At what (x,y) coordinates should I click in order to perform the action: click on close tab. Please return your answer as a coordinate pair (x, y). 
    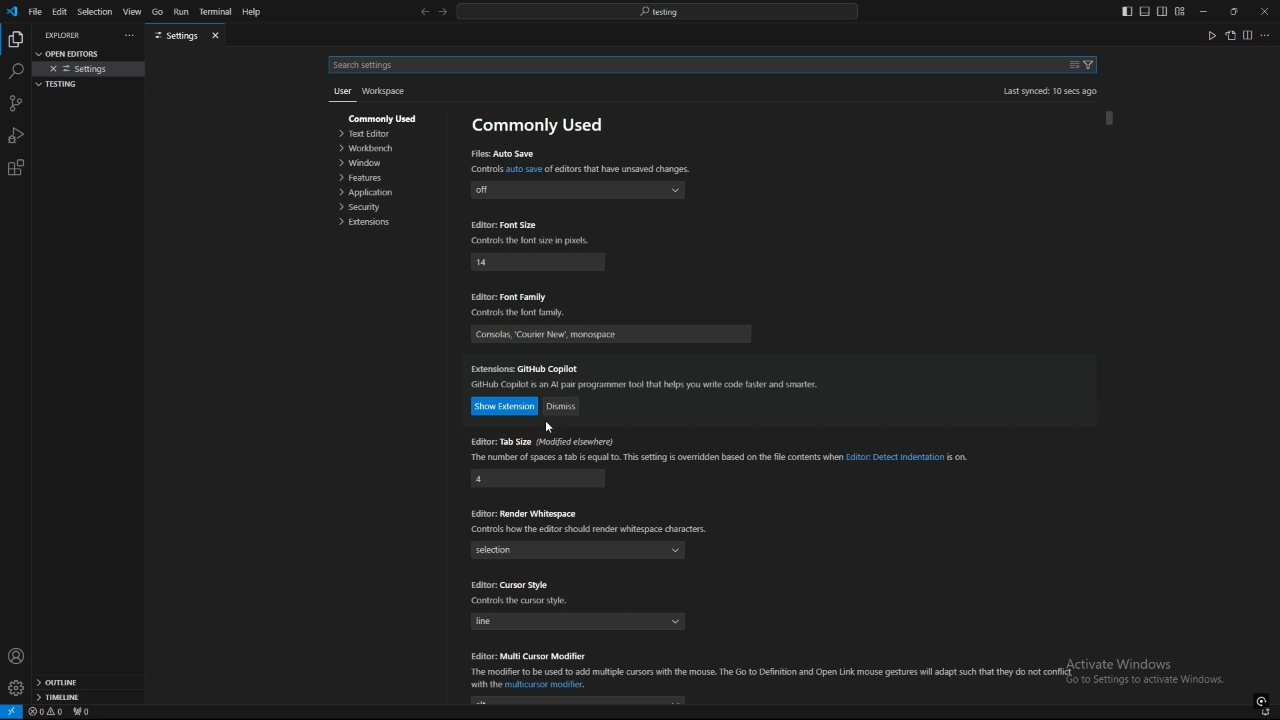
    Looking at the image, I should click on (218, 35).